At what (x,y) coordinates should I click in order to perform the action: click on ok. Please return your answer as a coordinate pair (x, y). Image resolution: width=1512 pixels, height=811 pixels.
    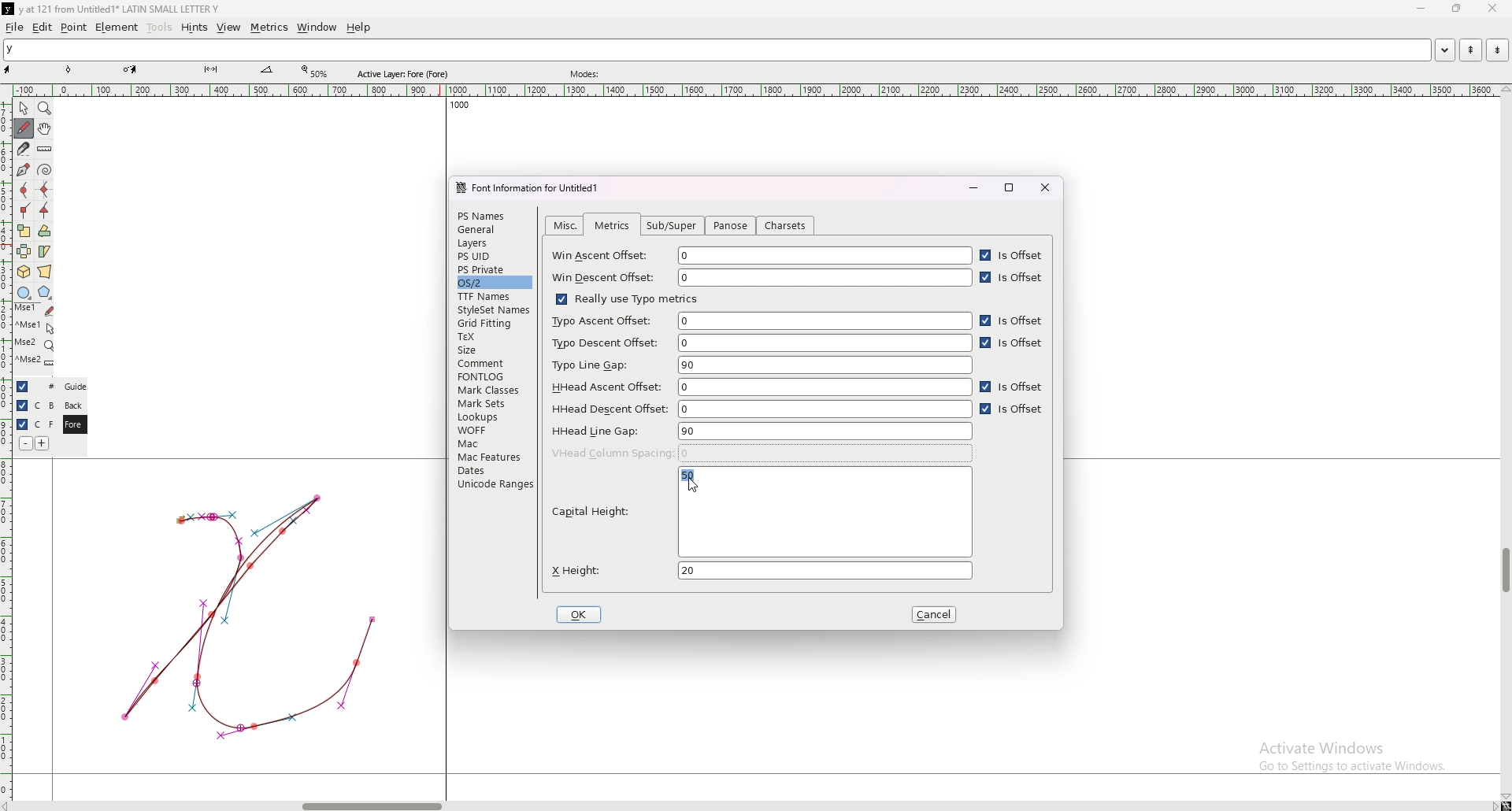
    Looking at the image, I should click on (581, 614).